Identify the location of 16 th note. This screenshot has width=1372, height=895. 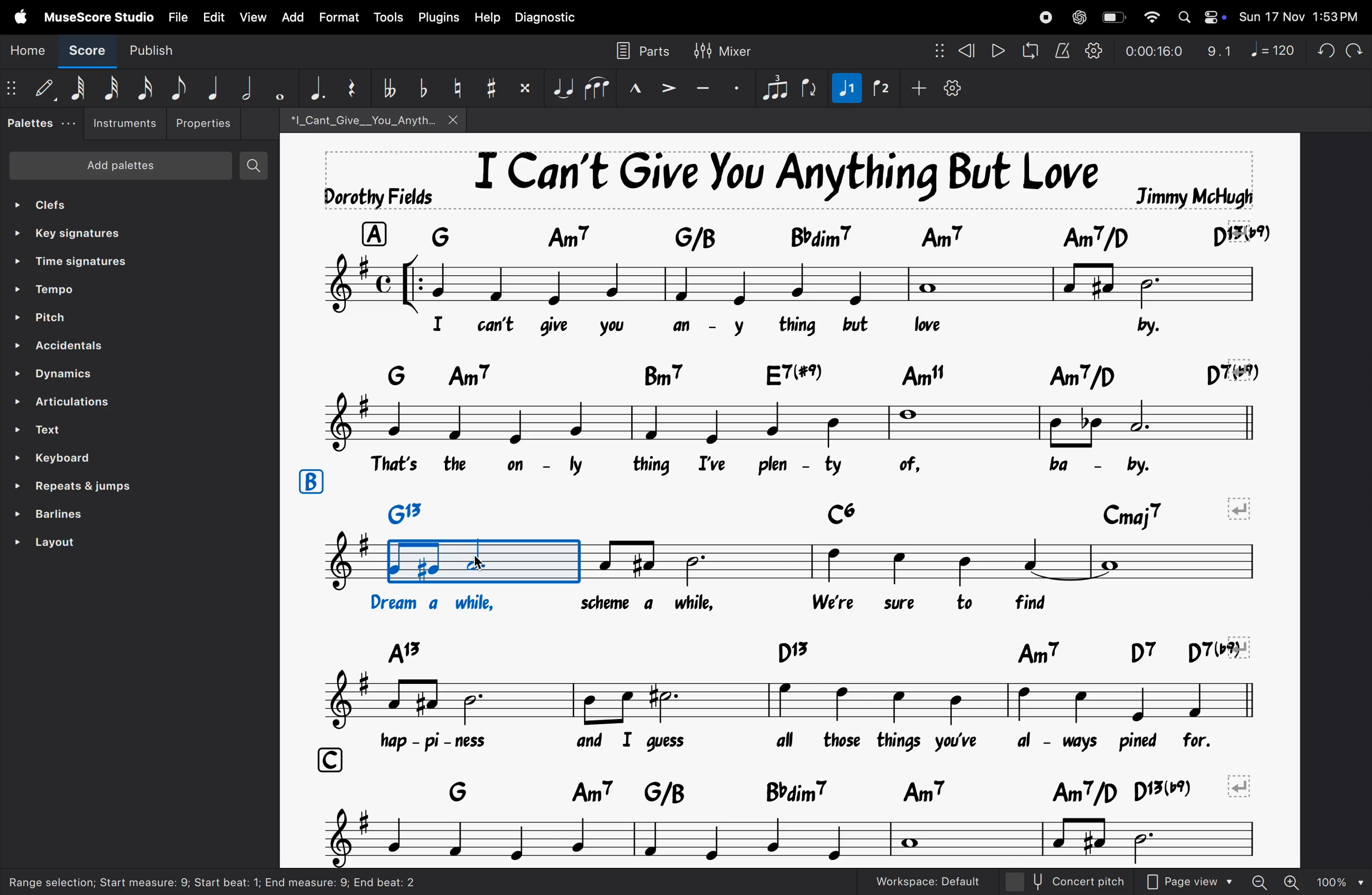
(145, 89).